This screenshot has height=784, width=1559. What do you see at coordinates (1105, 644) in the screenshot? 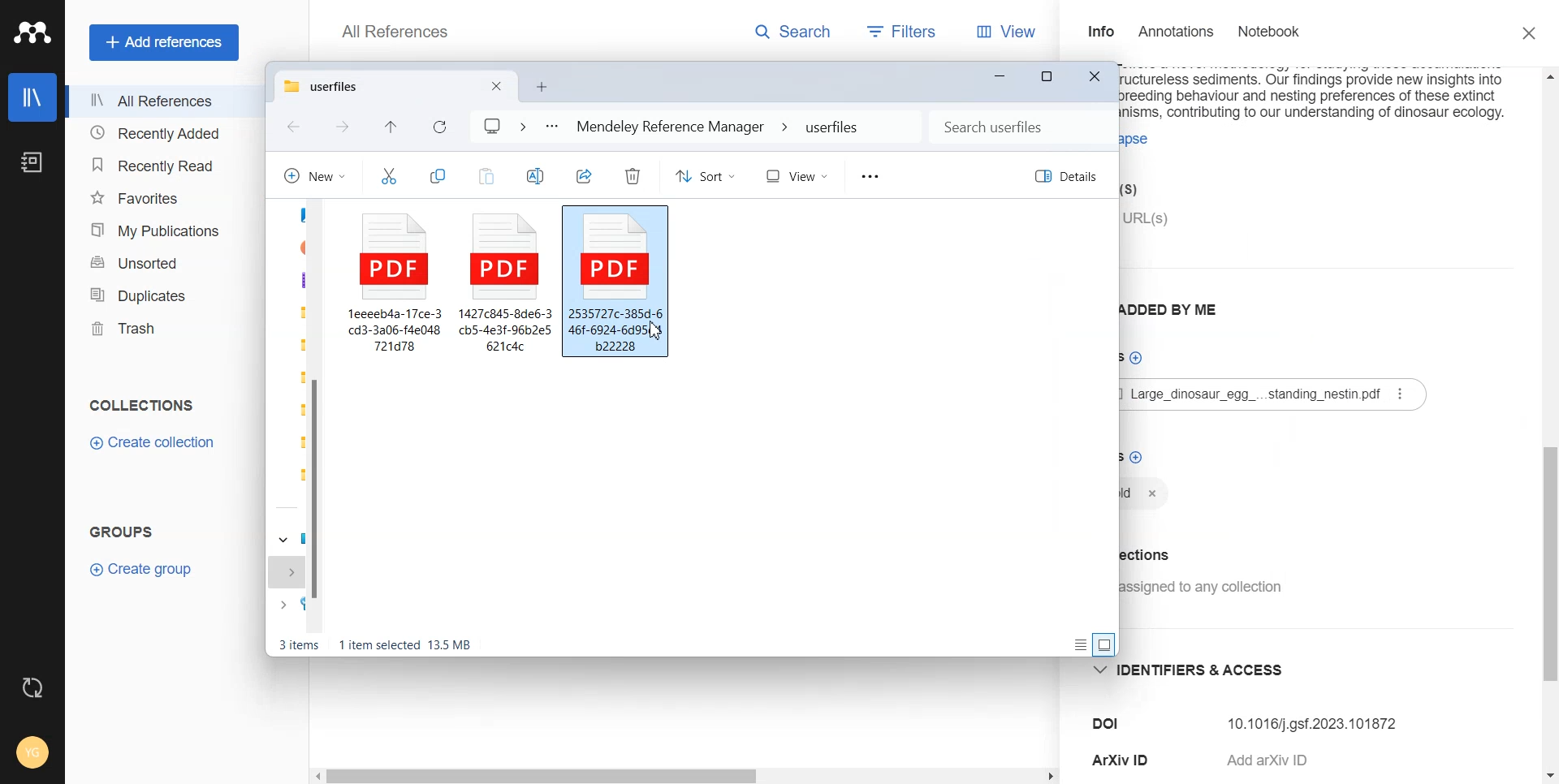
I see `Display information by large thumbnail` at bounding box center [1105, 644].